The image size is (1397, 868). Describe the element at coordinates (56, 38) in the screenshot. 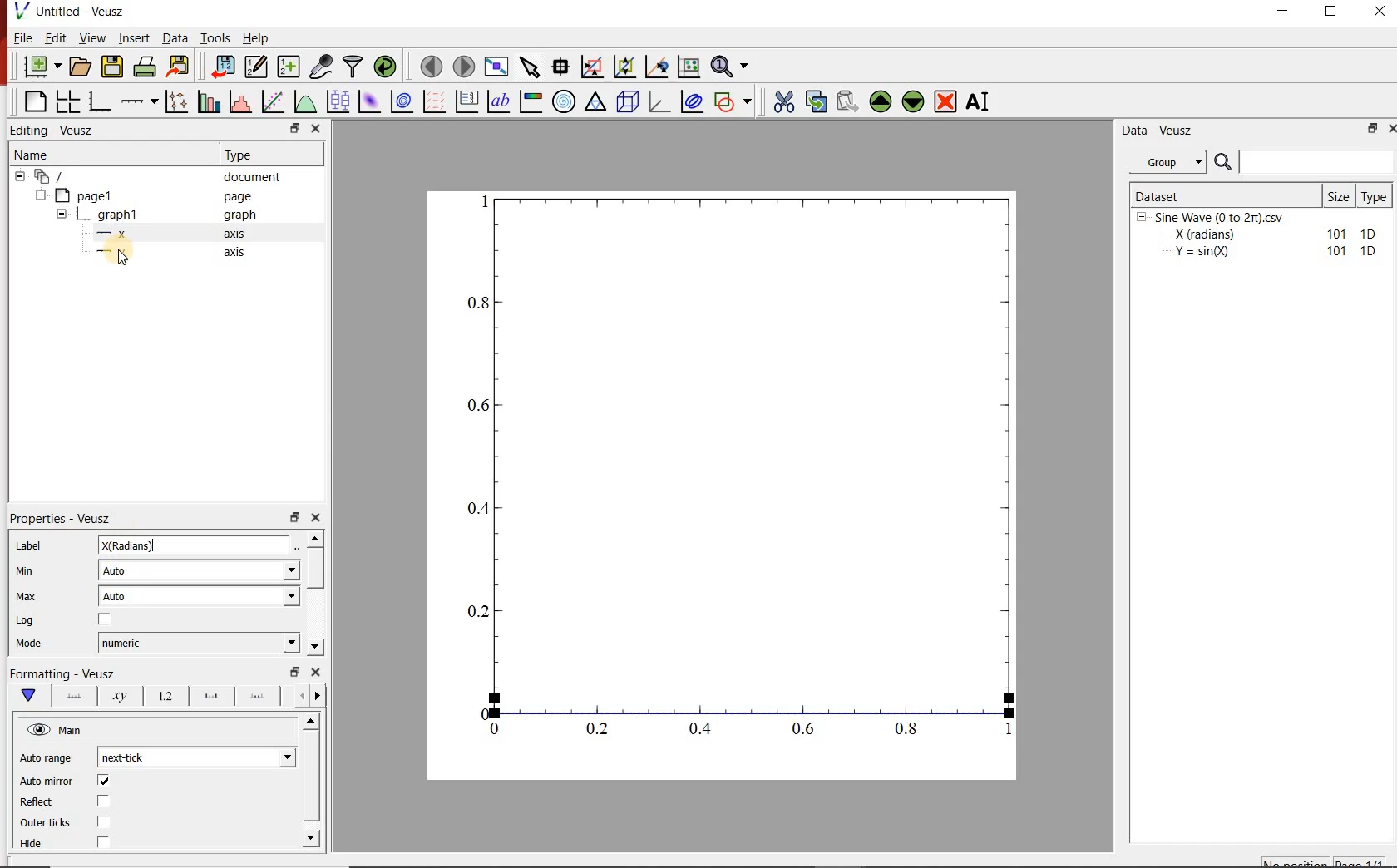

I see `Edit` at that location.